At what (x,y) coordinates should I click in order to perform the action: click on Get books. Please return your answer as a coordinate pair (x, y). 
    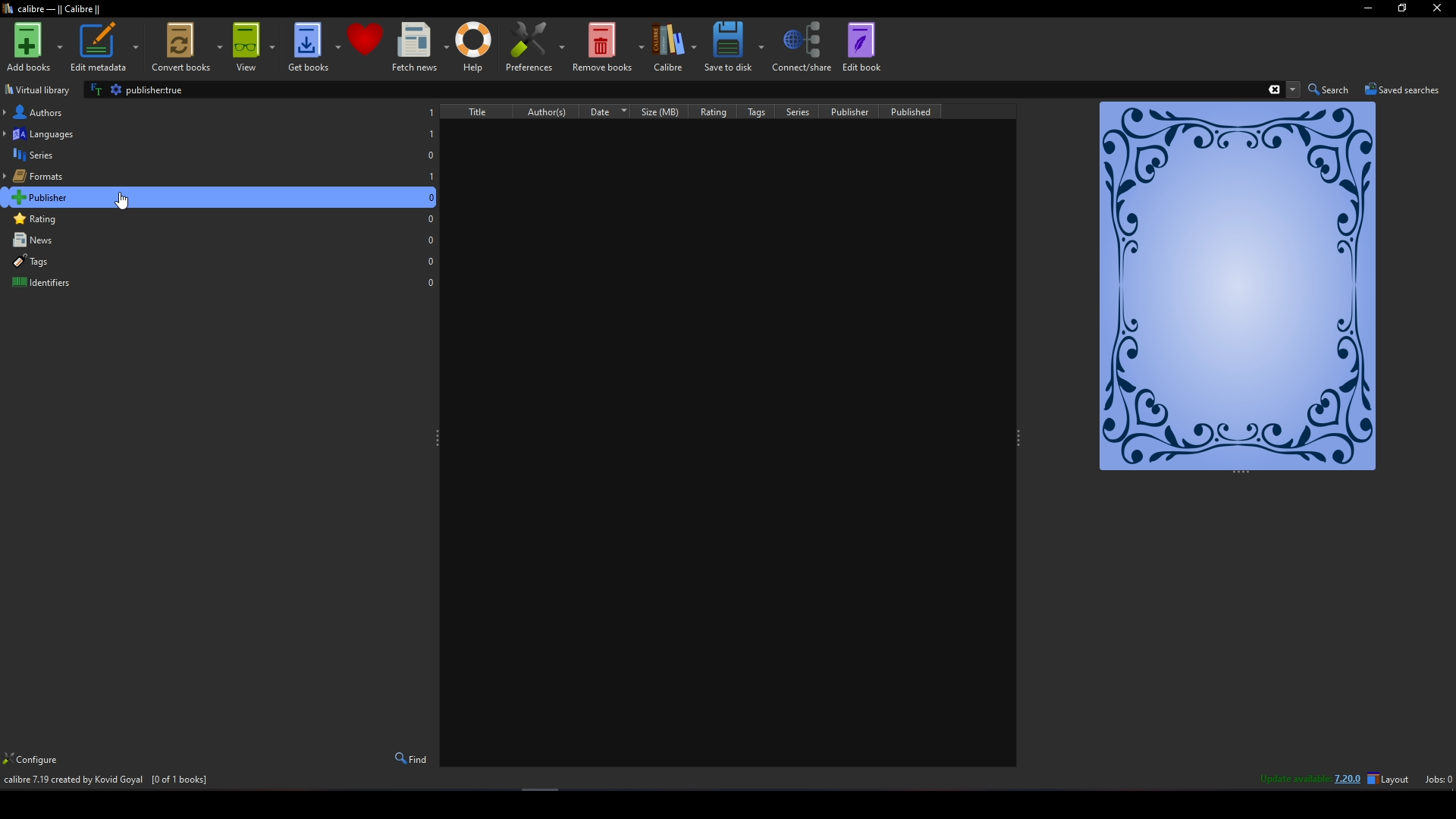
    Looking at the image, I should click on (314, 46).